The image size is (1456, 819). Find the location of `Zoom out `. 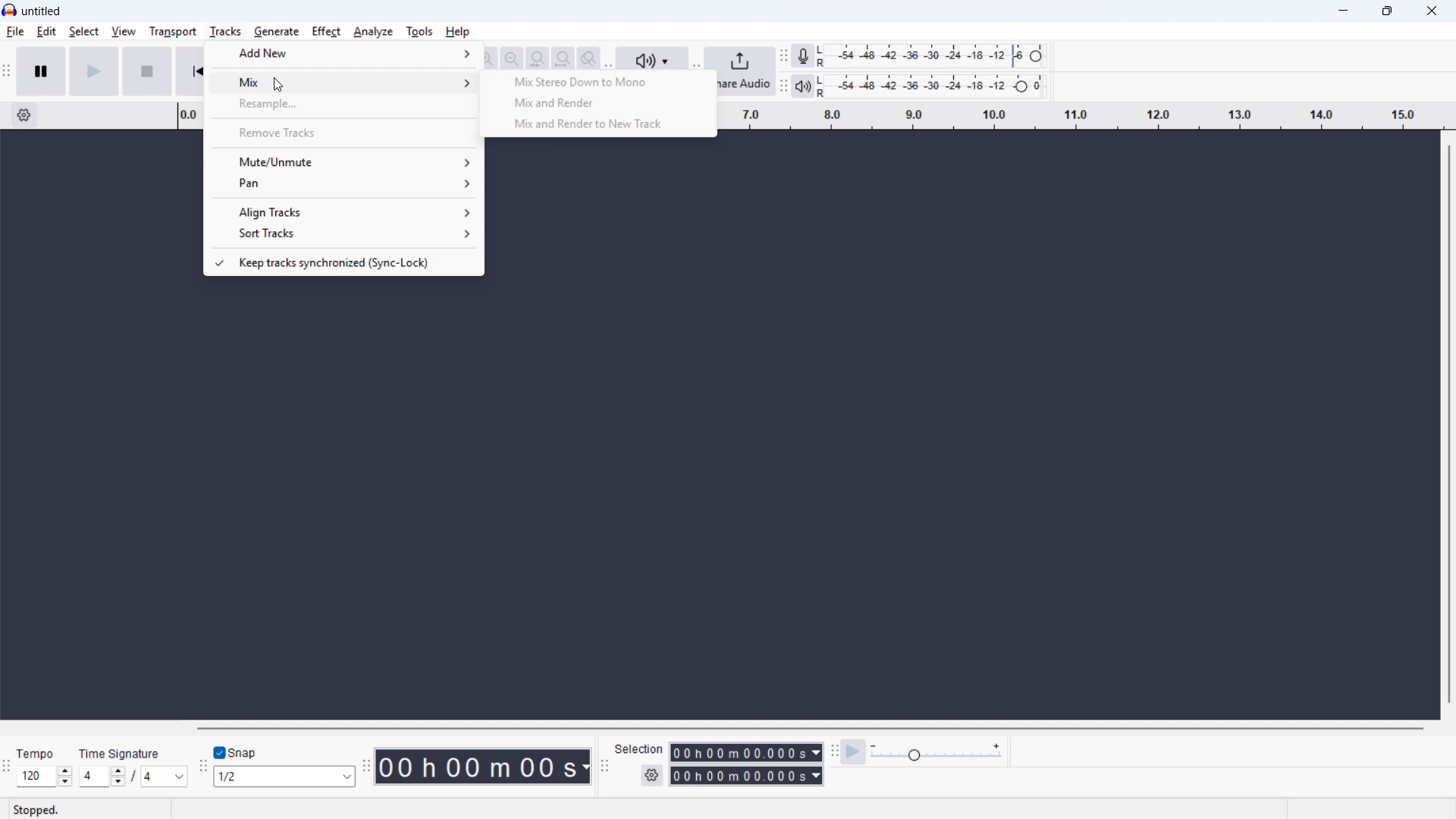

Zoom out  is located at coordinates (487, 58).